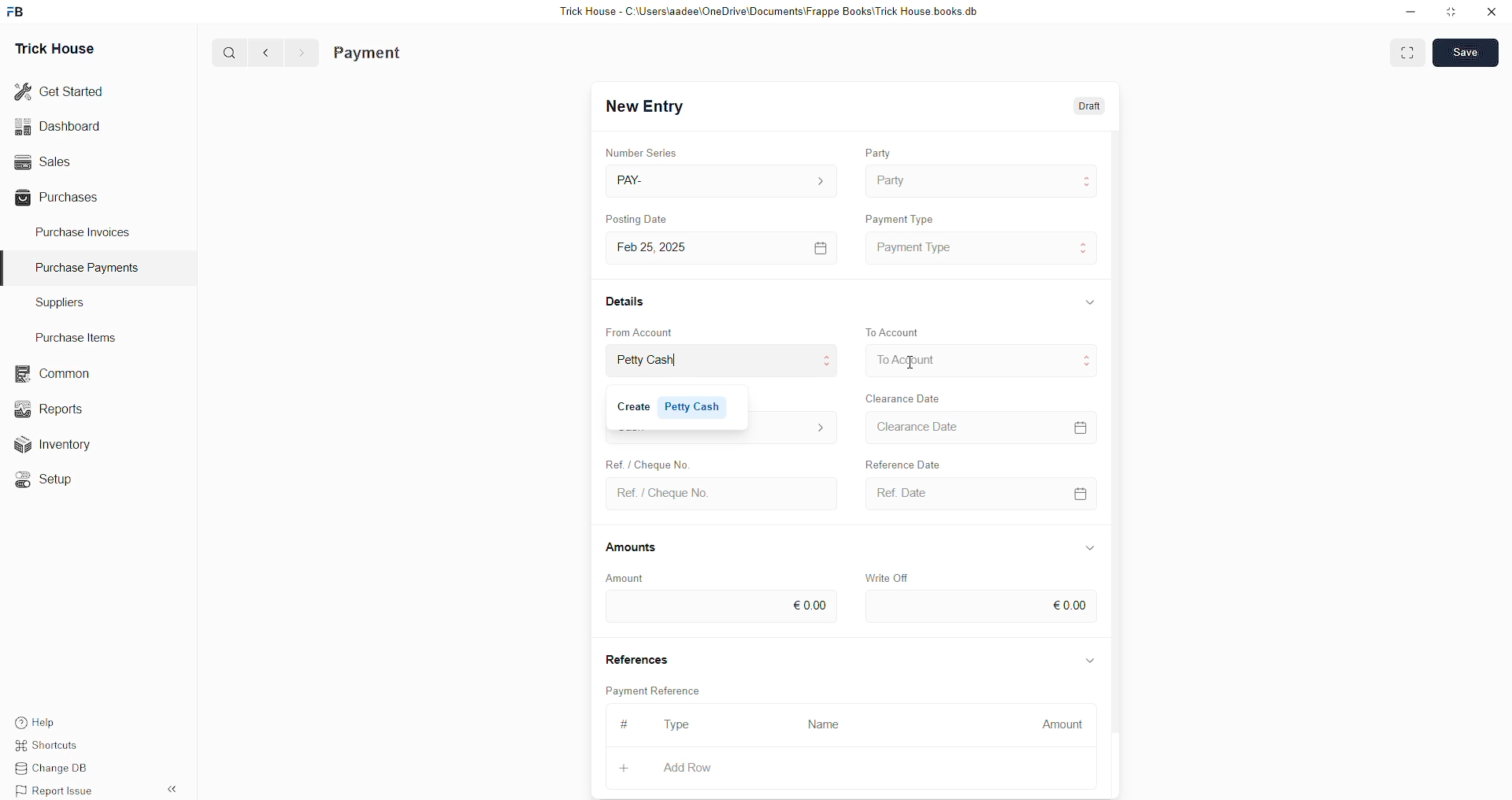 Image resolution: width=1512 pixels, height=800 pixels. I want to click on Amount, so click(1062, 720).